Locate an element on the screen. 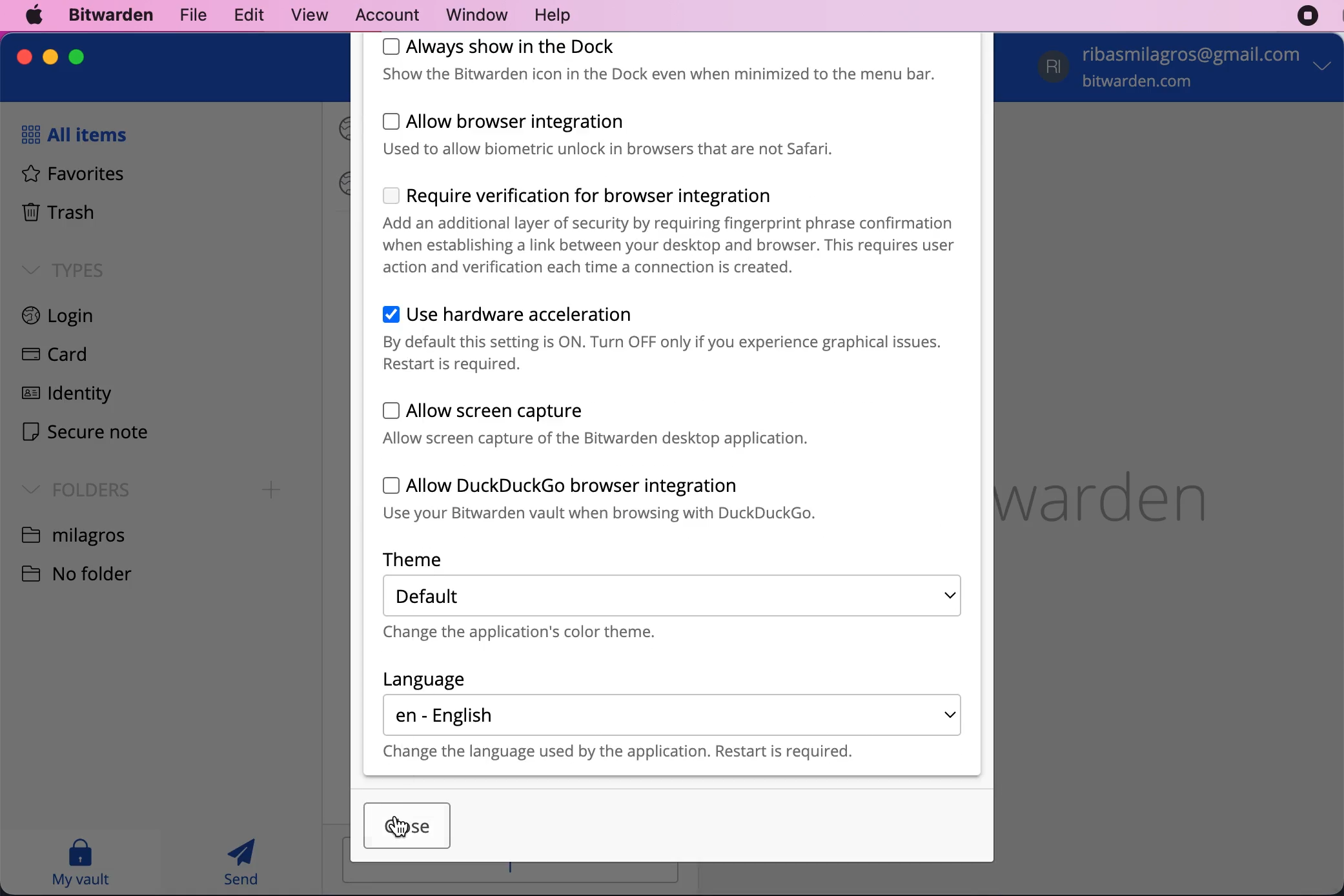 Image resolution: width=1344 pixels, height=896 pixels. theme is located at coordinates (432, 559).